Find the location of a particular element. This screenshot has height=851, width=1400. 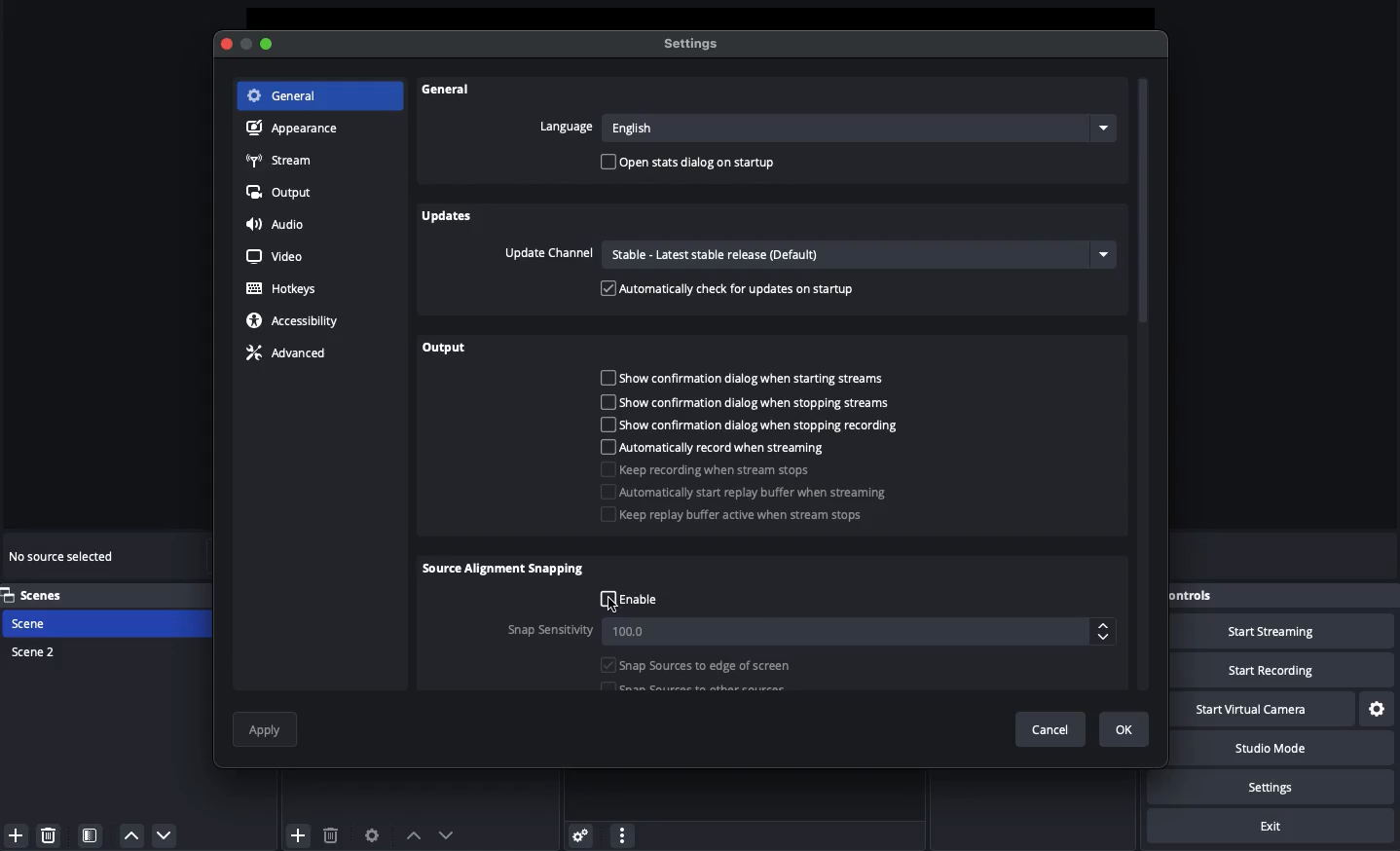

Exit is located at coordinates (1273, 828).